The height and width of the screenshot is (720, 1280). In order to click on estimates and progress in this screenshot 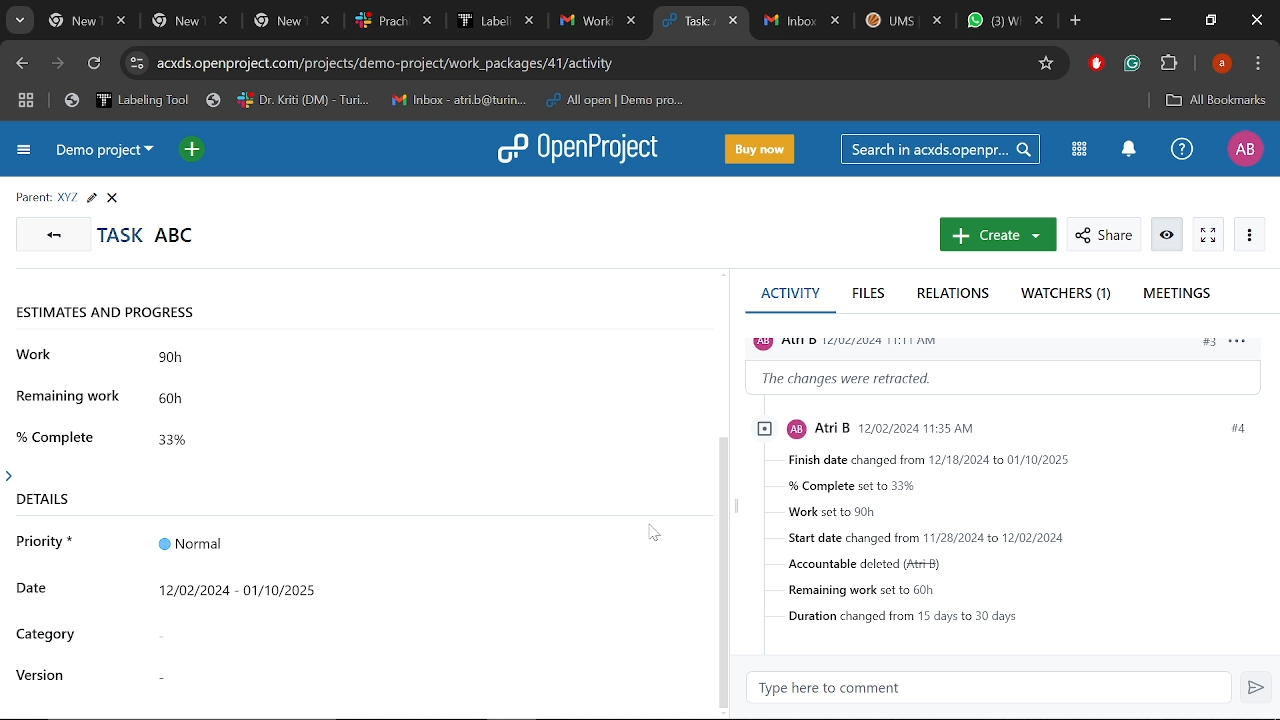, I will do `click(117, 314)`.